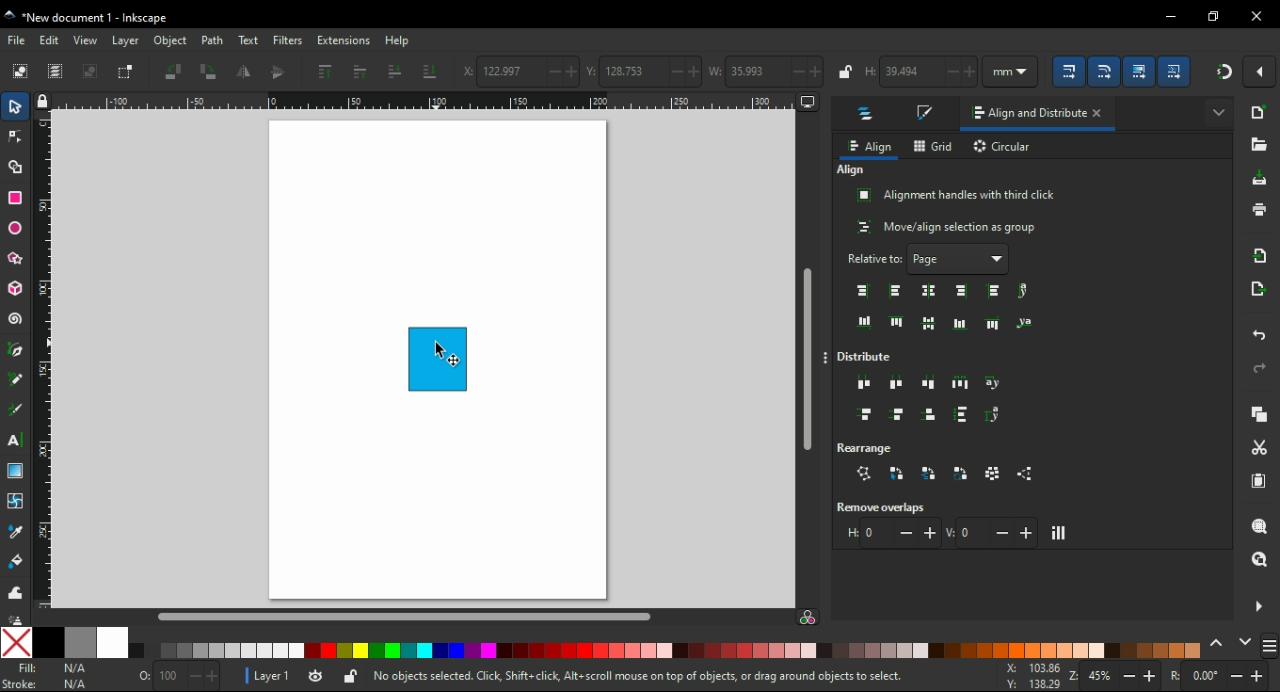 The image size is (1280, 692). What do you see at coordinates (1260, 180) in the screenshot?
I see `save` at bounding box center [1260, 180].